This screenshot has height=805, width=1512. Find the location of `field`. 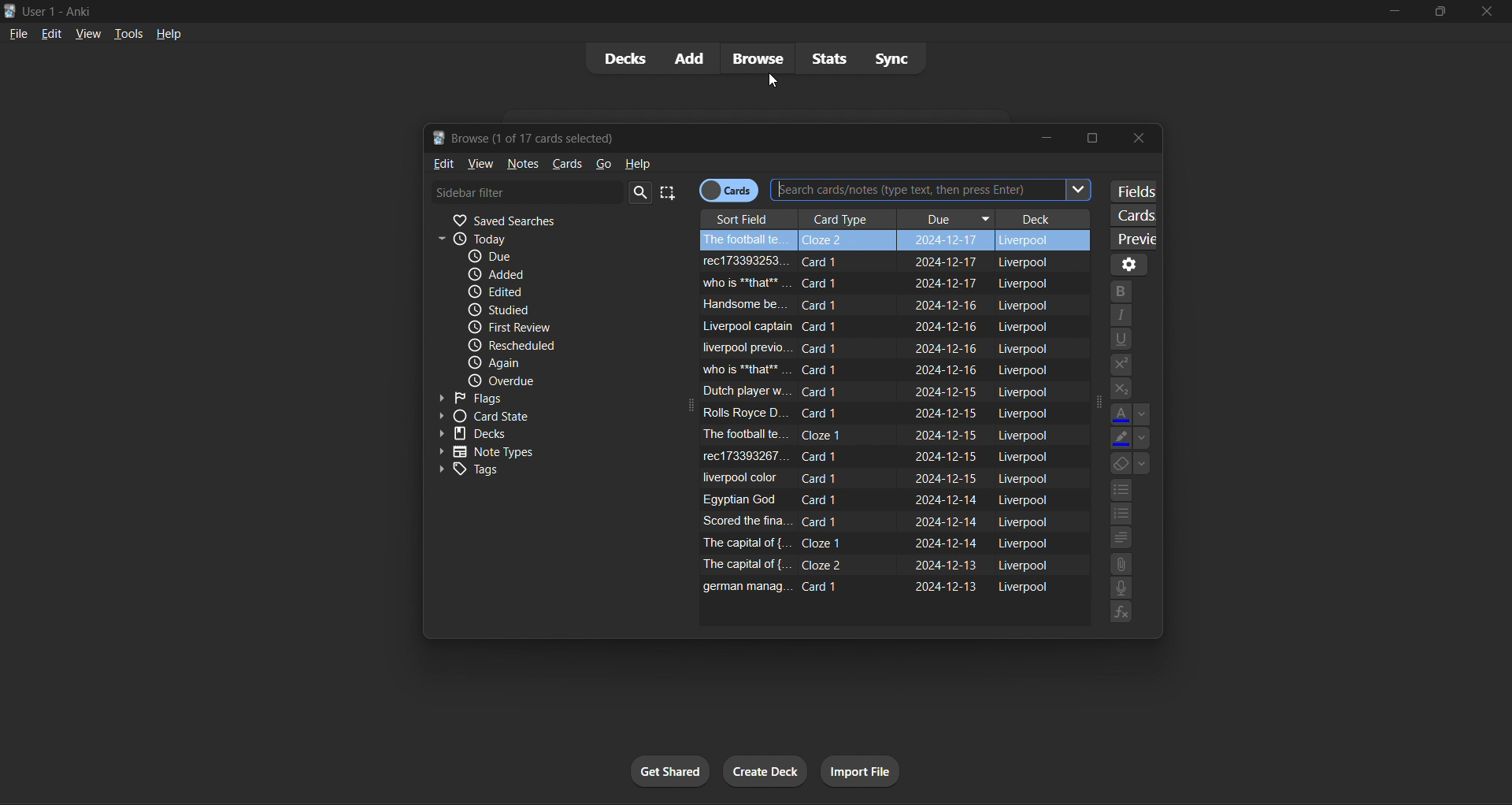

field is located at coordinates (746, 261).